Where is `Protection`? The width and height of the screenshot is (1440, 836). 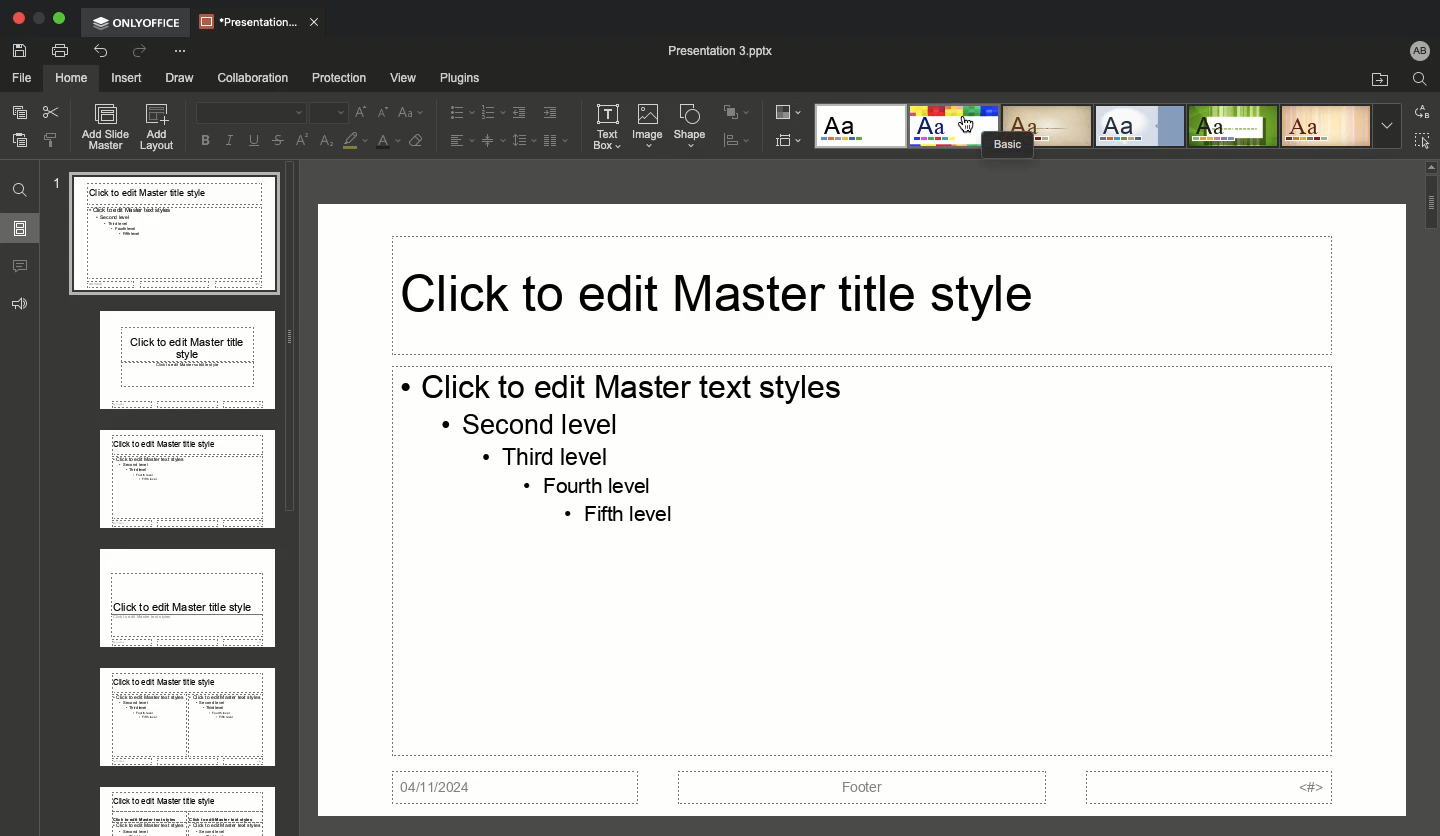
Protection is located at coordinates (331, 78).